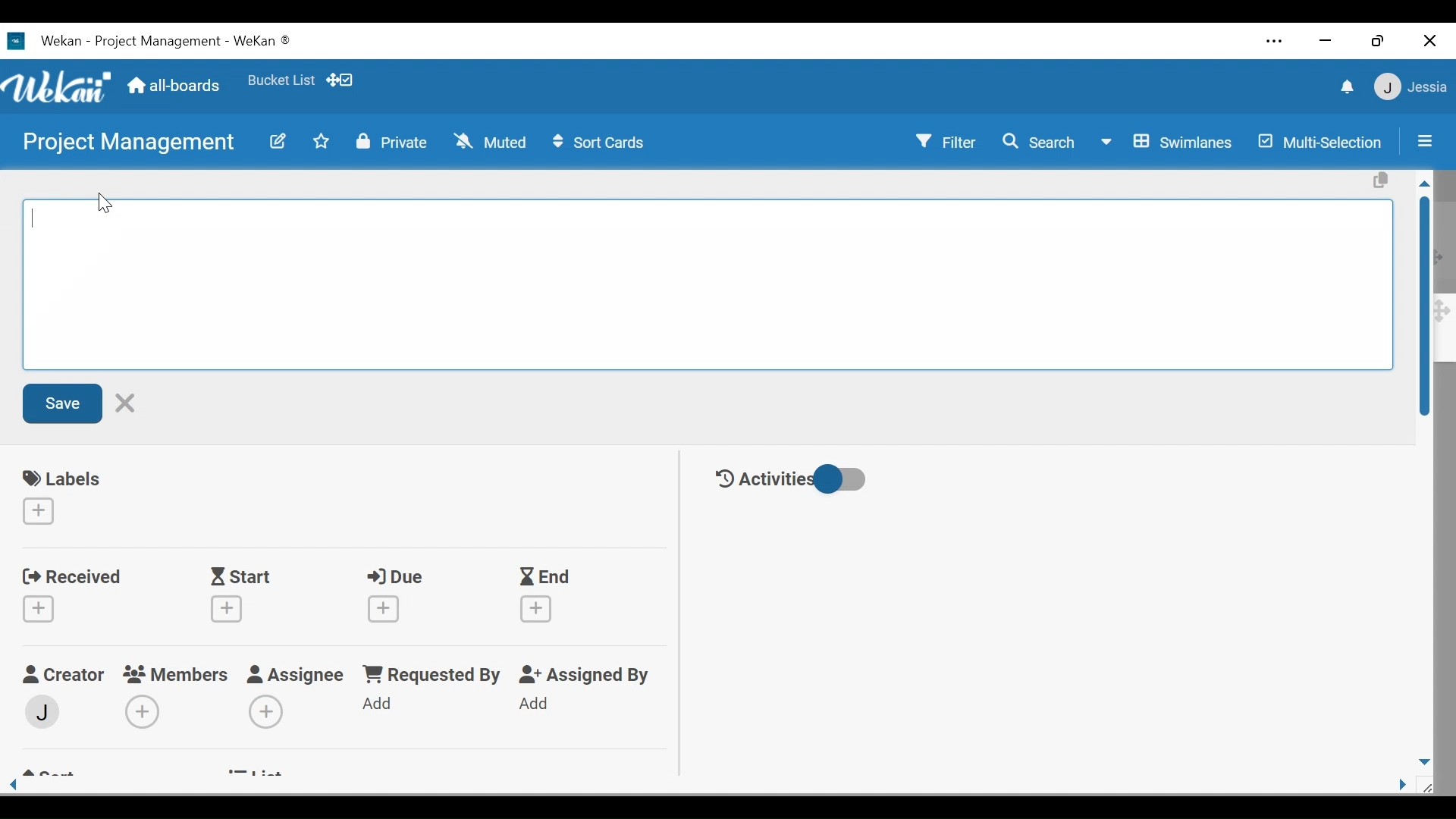  Describe the element at coordinates (39, 609) in the screenshot. I see `Create Received date` at that location.